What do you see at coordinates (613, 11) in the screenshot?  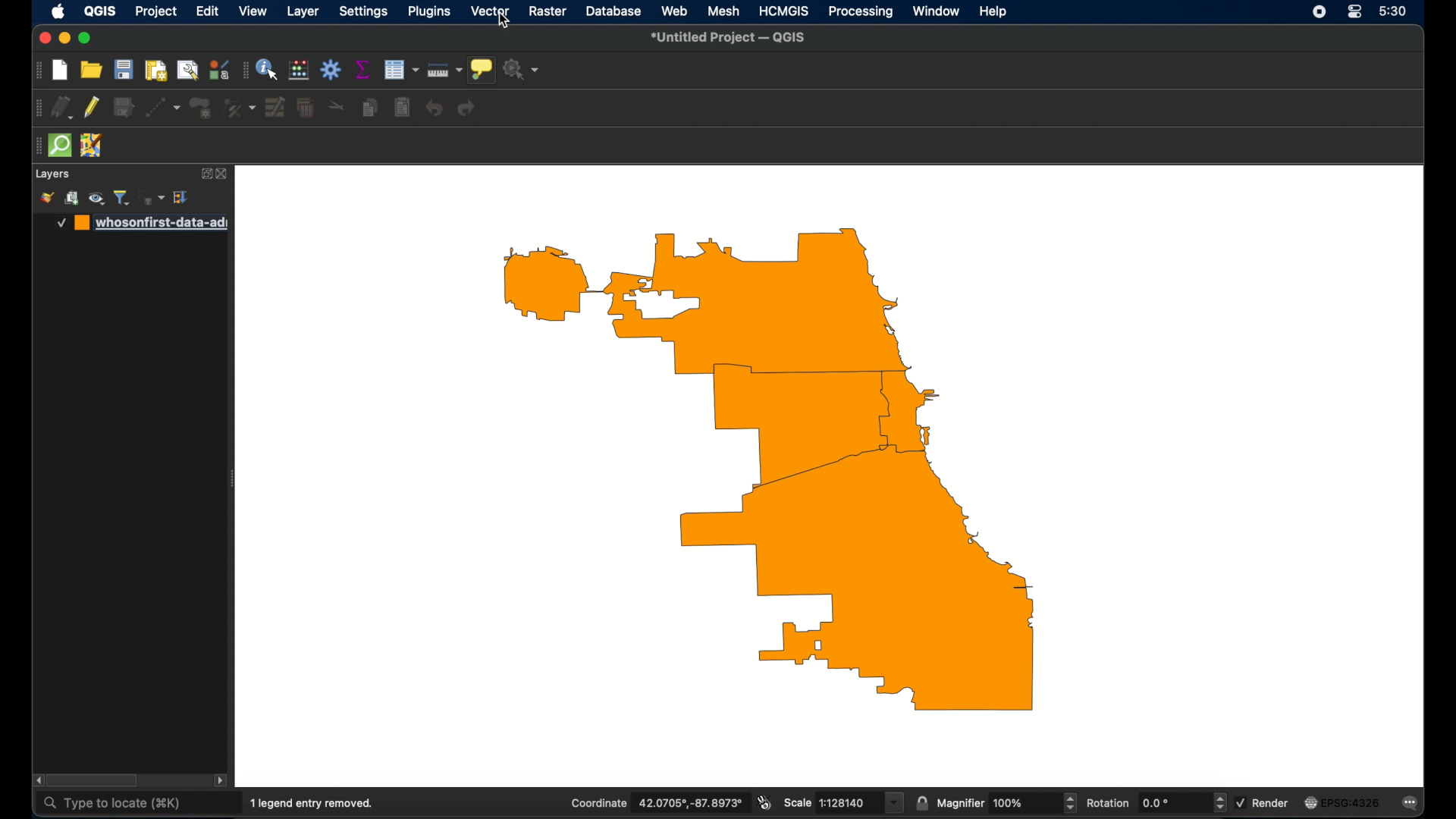 I see `database` at bounding box center [613, 11].